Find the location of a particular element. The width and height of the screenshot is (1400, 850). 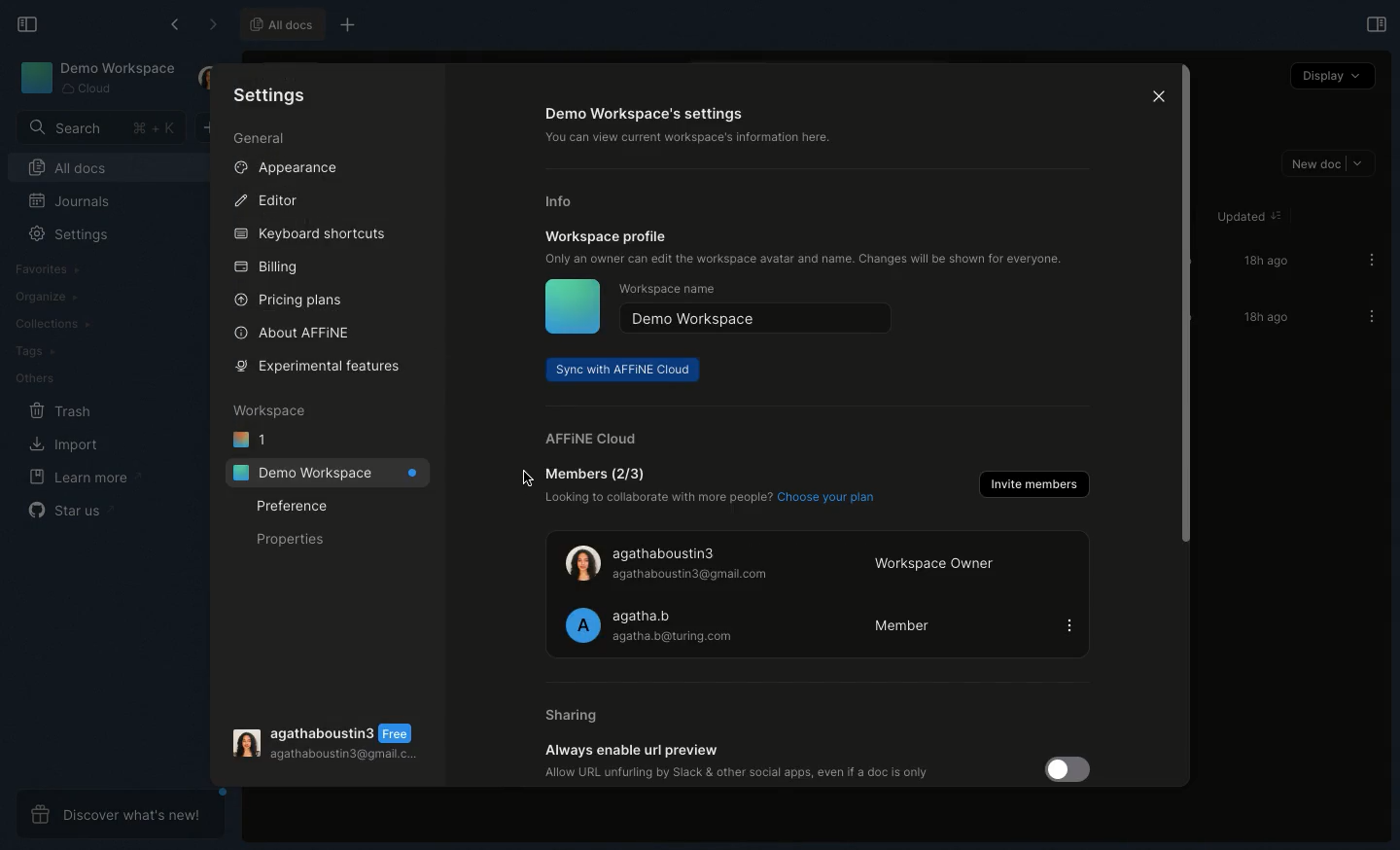

Settings is located at coordinates (269, 94).